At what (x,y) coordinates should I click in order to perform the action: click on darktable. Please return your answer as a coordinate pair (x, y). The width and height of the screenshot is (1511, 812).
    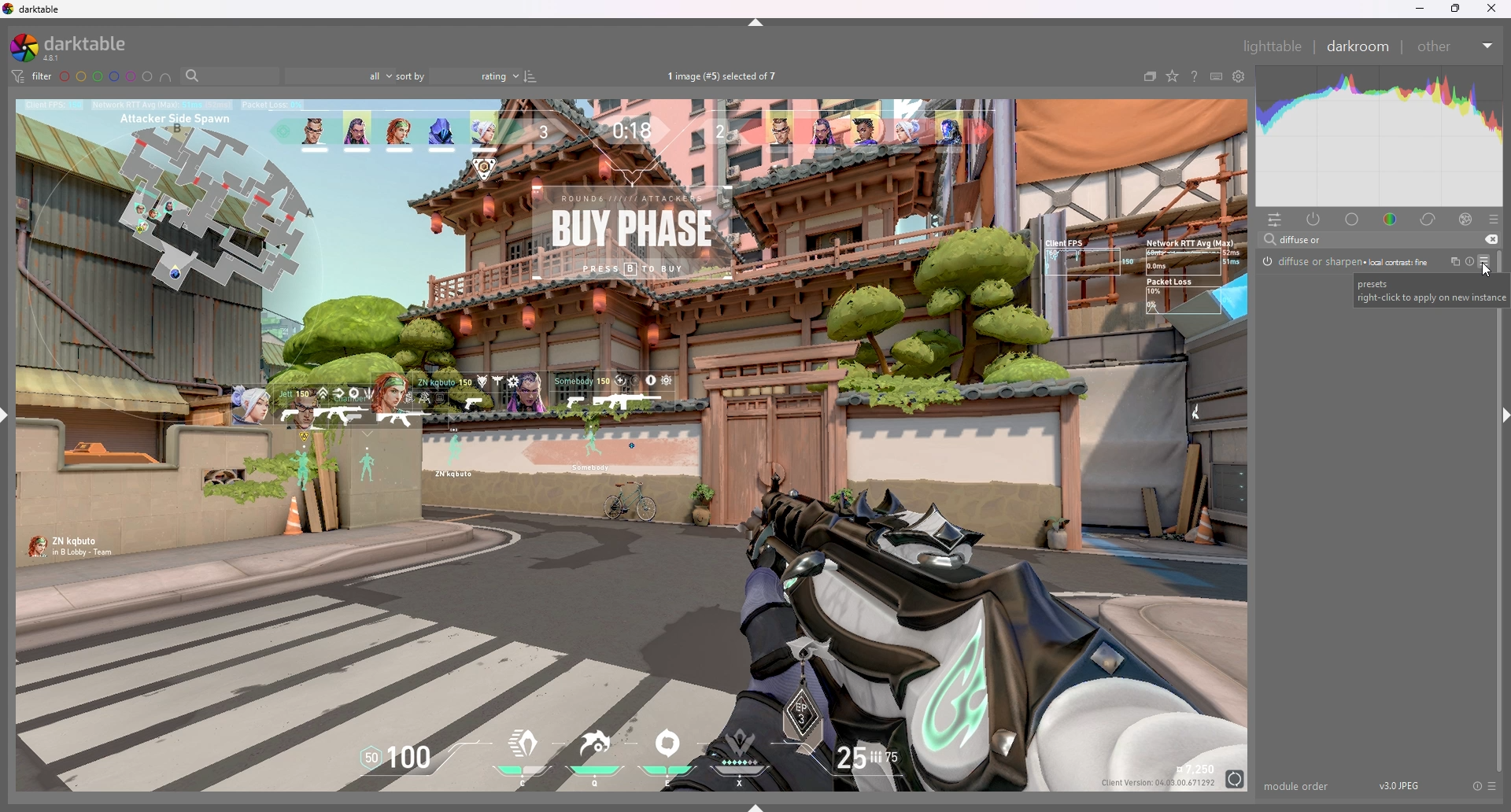
    Looking at the image, I should click on (35, 9).